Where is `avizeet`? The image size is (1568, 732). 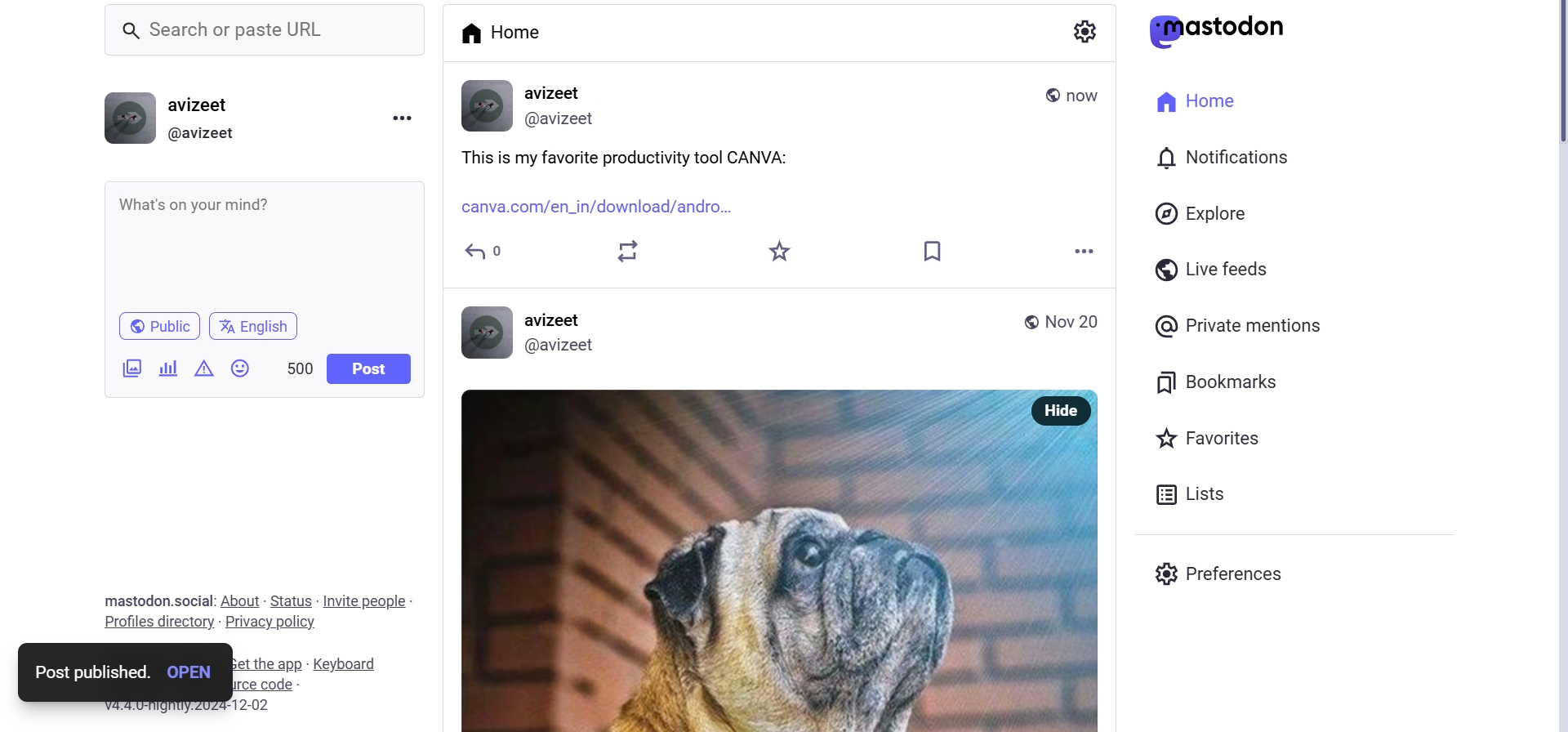
avizeet is located at coordinates (558, 92).